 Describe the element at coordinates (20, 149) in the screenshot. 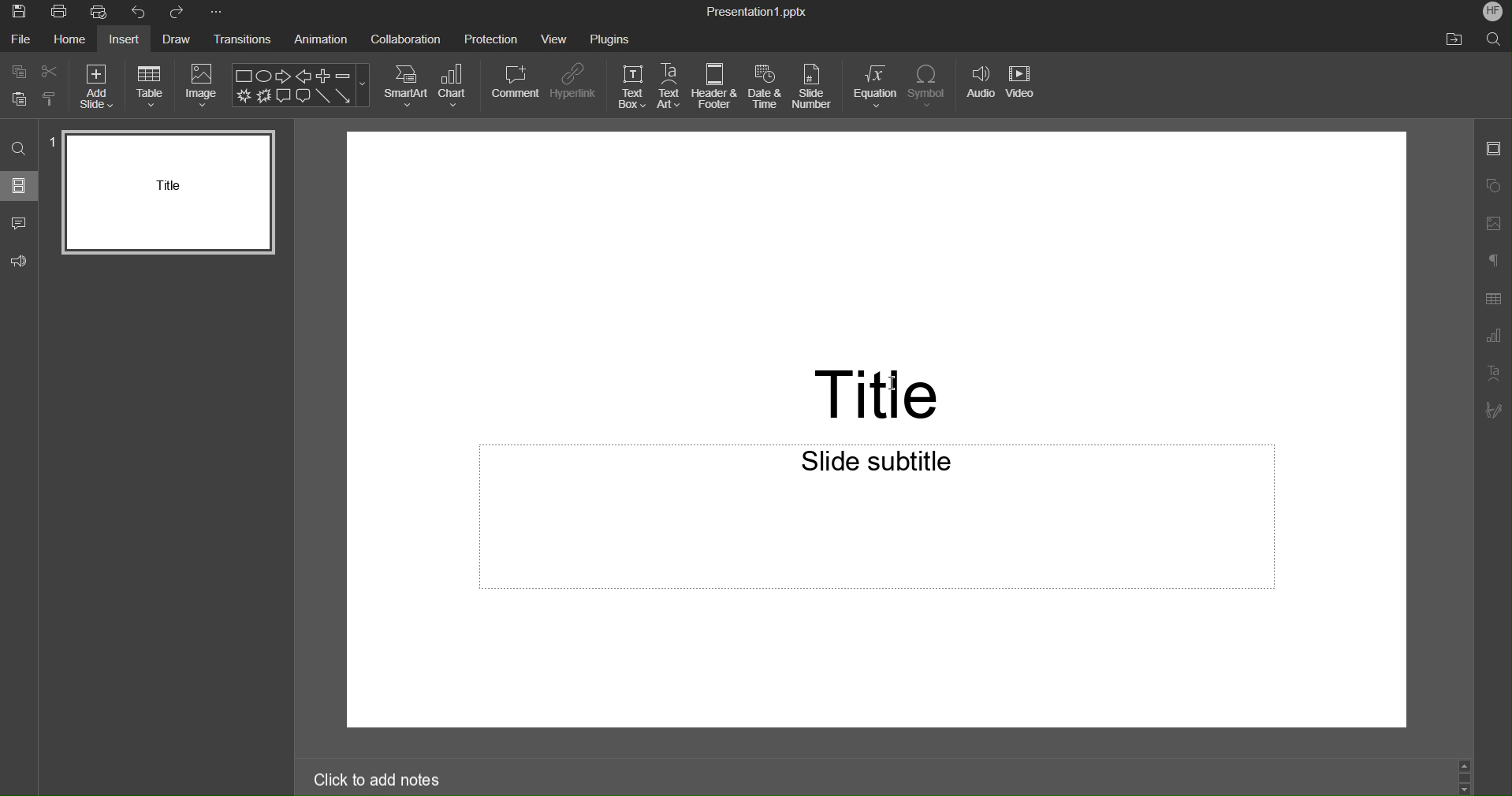

I see `Search` at that location.